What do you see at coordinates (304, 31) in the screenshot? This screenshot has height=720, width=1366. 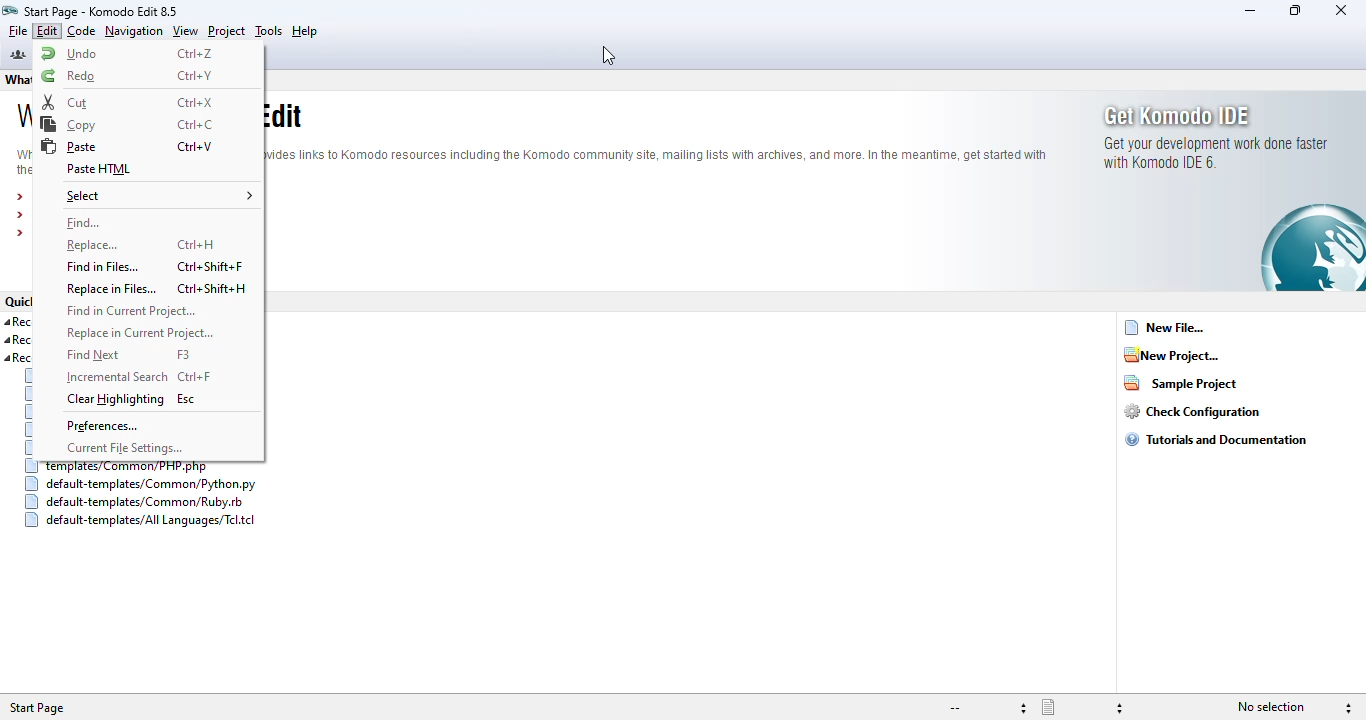 I see `help` at bounding box center [304, 31].